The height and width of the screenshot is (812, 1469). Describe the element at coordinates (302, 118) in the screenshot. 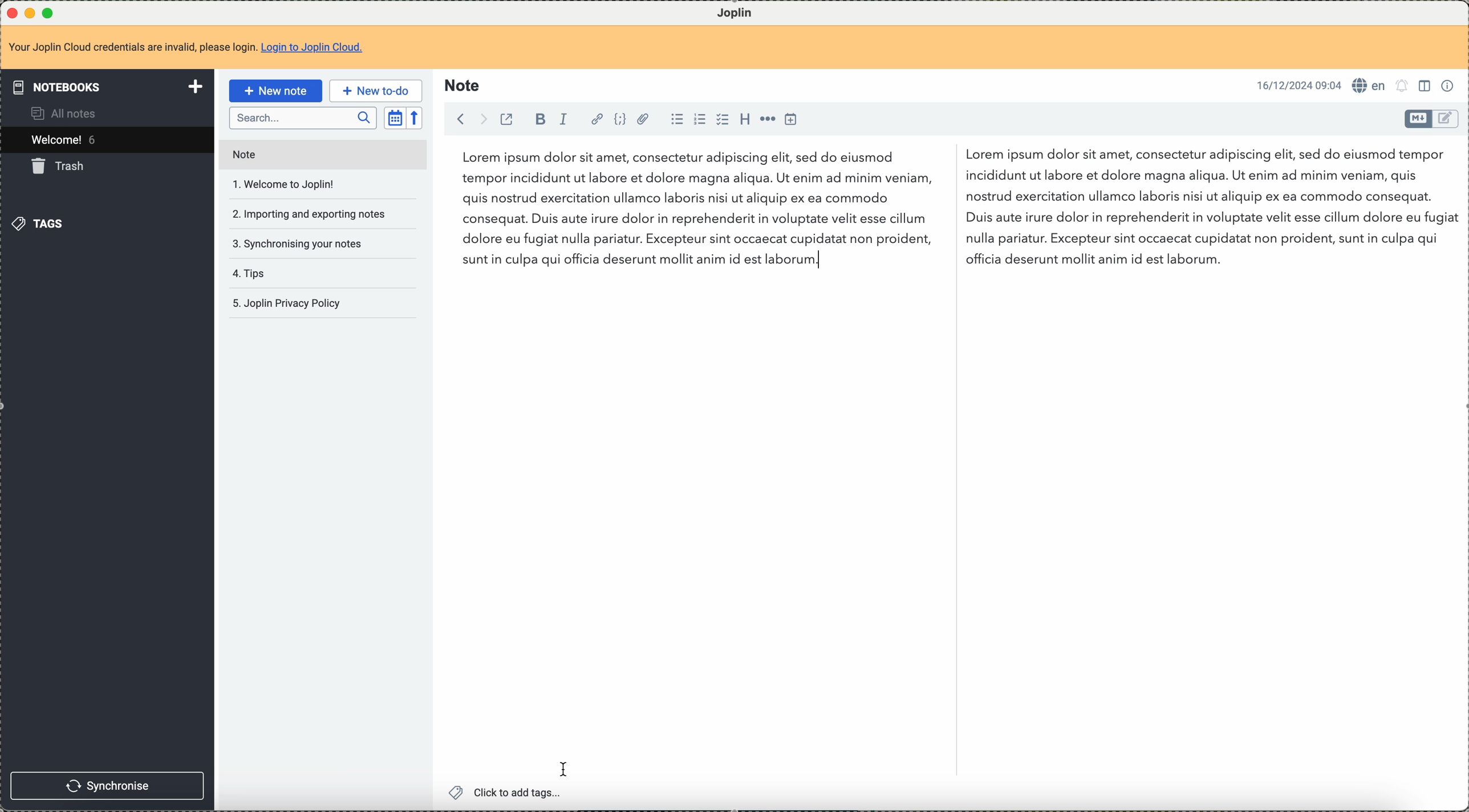

I see `search bar` at that location.